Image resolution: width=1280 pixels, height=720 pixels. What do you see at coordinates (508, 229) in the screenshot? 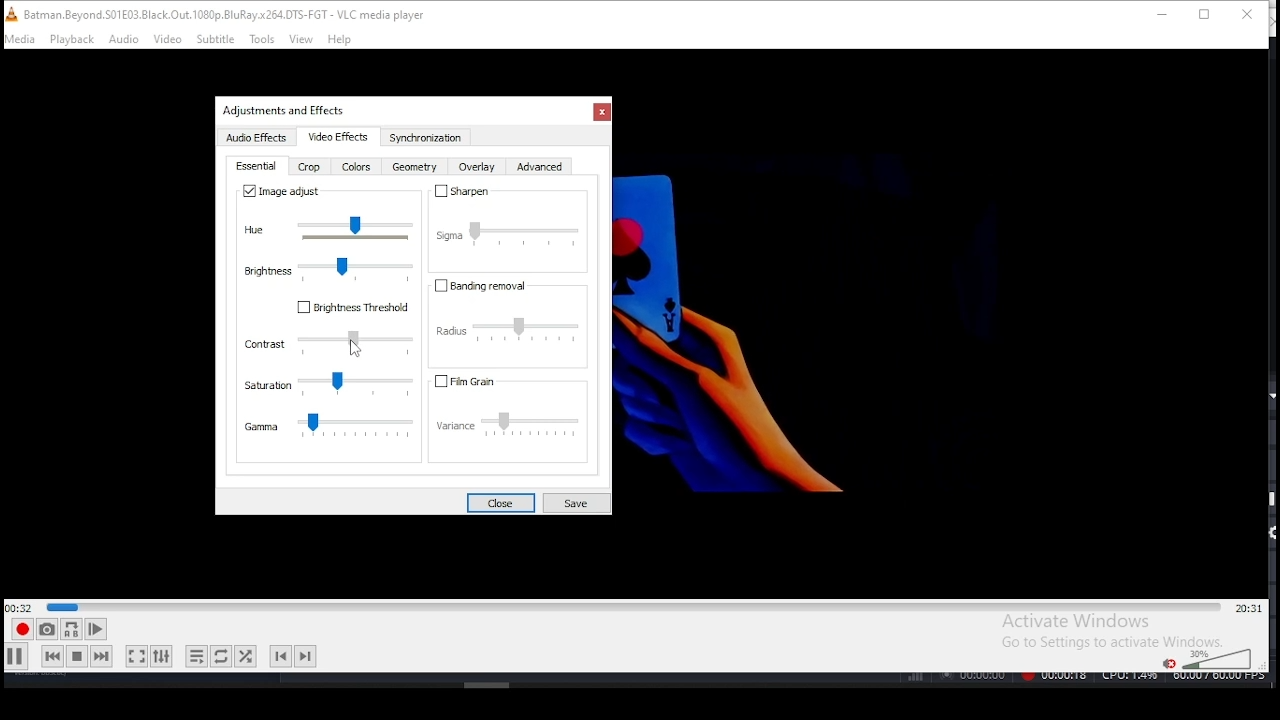
I see `sigma` at bounding box center [508, 229].